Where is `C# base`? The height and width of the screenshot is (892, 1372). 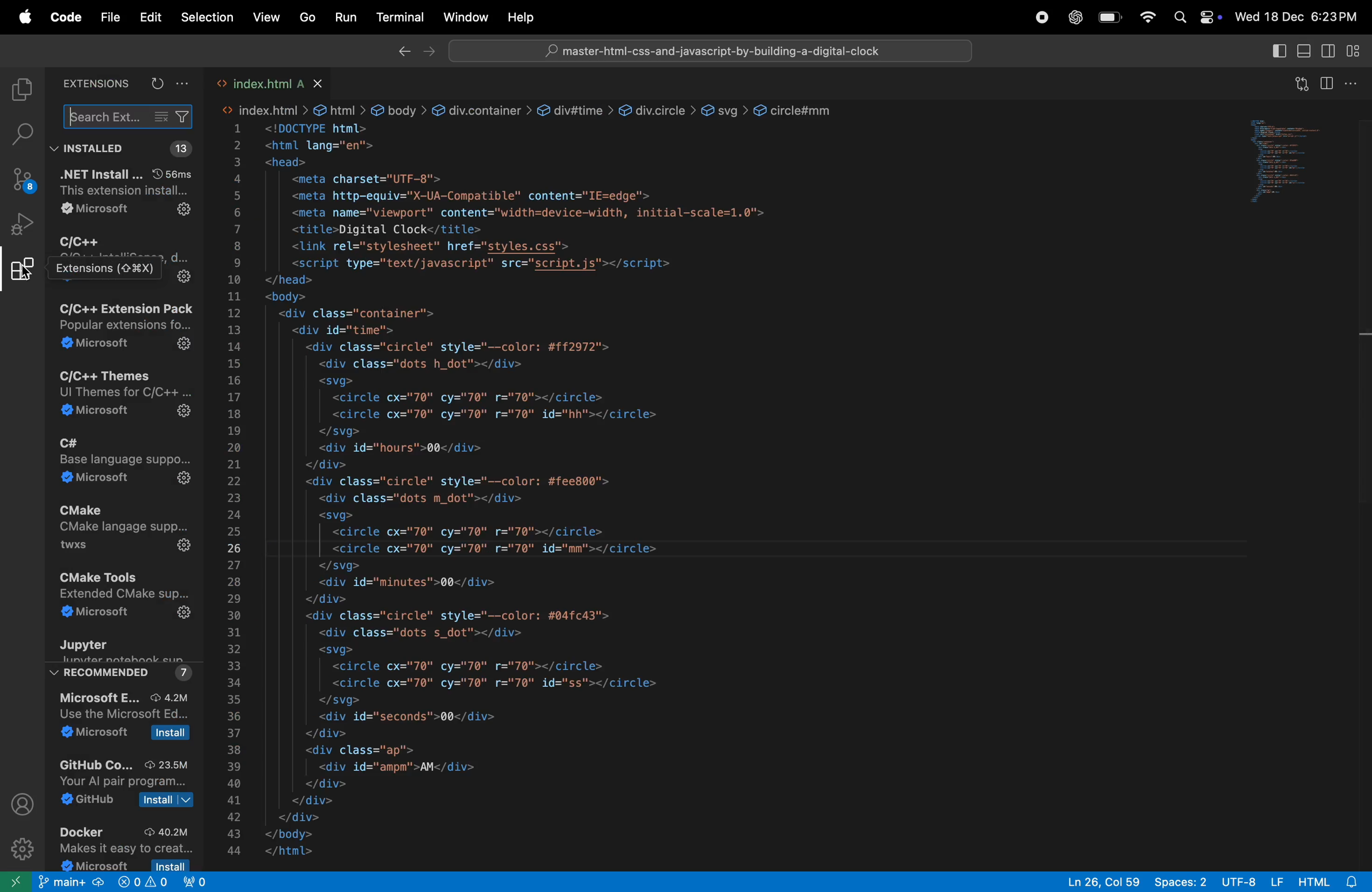
C# base is located at coordinates (127, 466).